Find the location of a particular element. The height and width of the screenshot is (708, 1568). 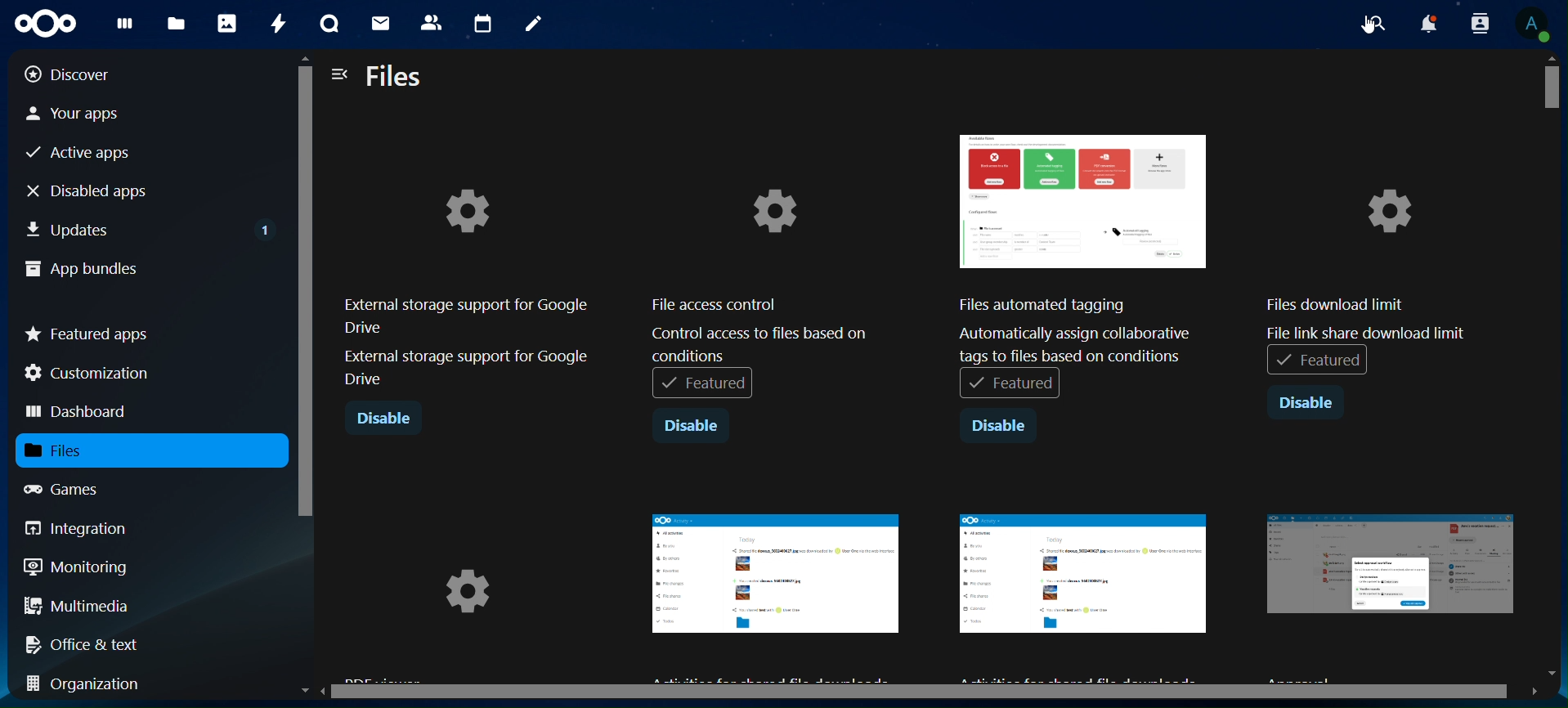

files is located at coordinates (179, 23).